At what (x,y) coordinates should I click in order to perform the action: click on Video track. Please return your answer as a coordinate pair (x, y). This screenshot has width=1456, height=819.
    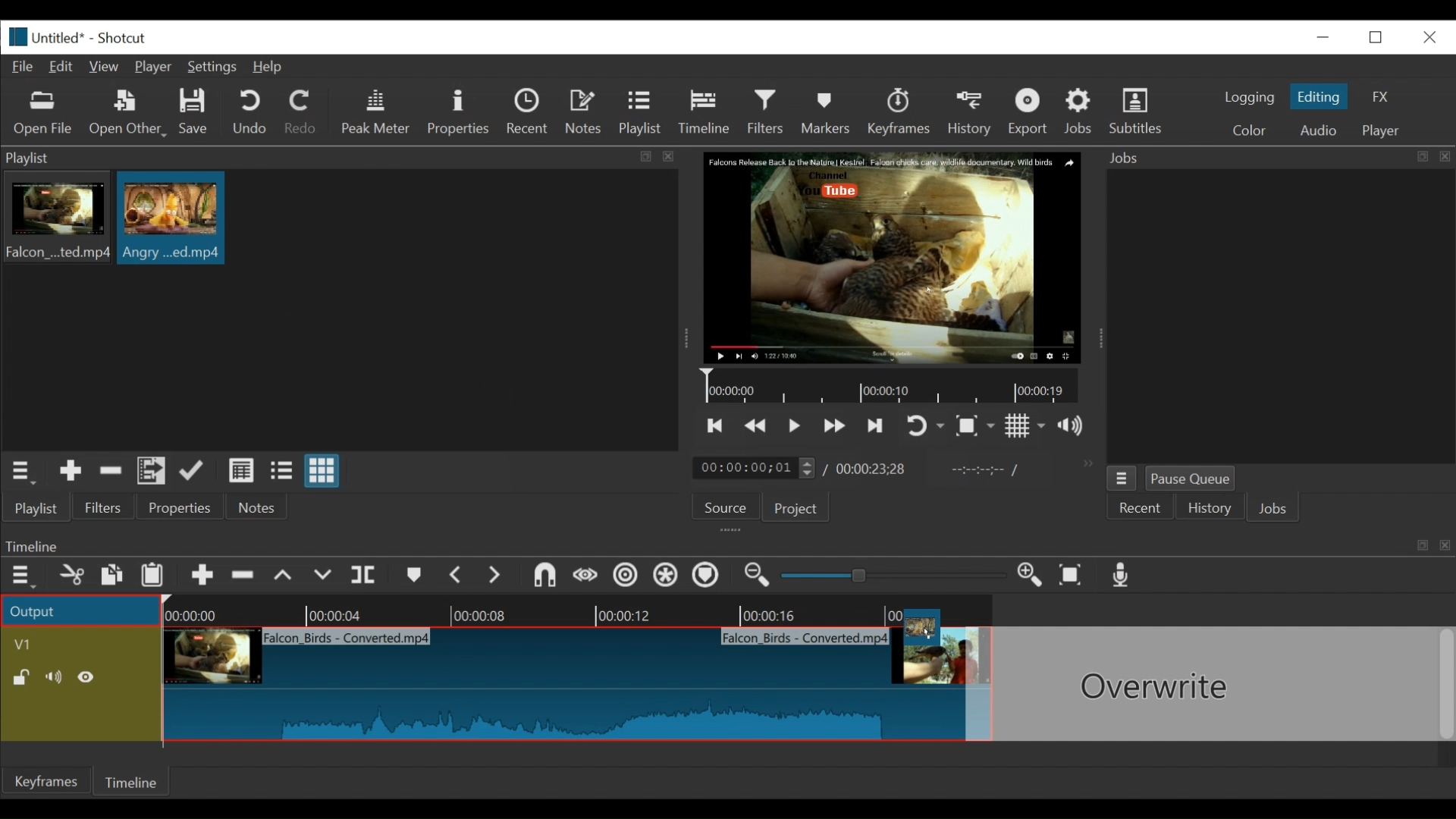
    Looking at the image, I should click on (81, 644).